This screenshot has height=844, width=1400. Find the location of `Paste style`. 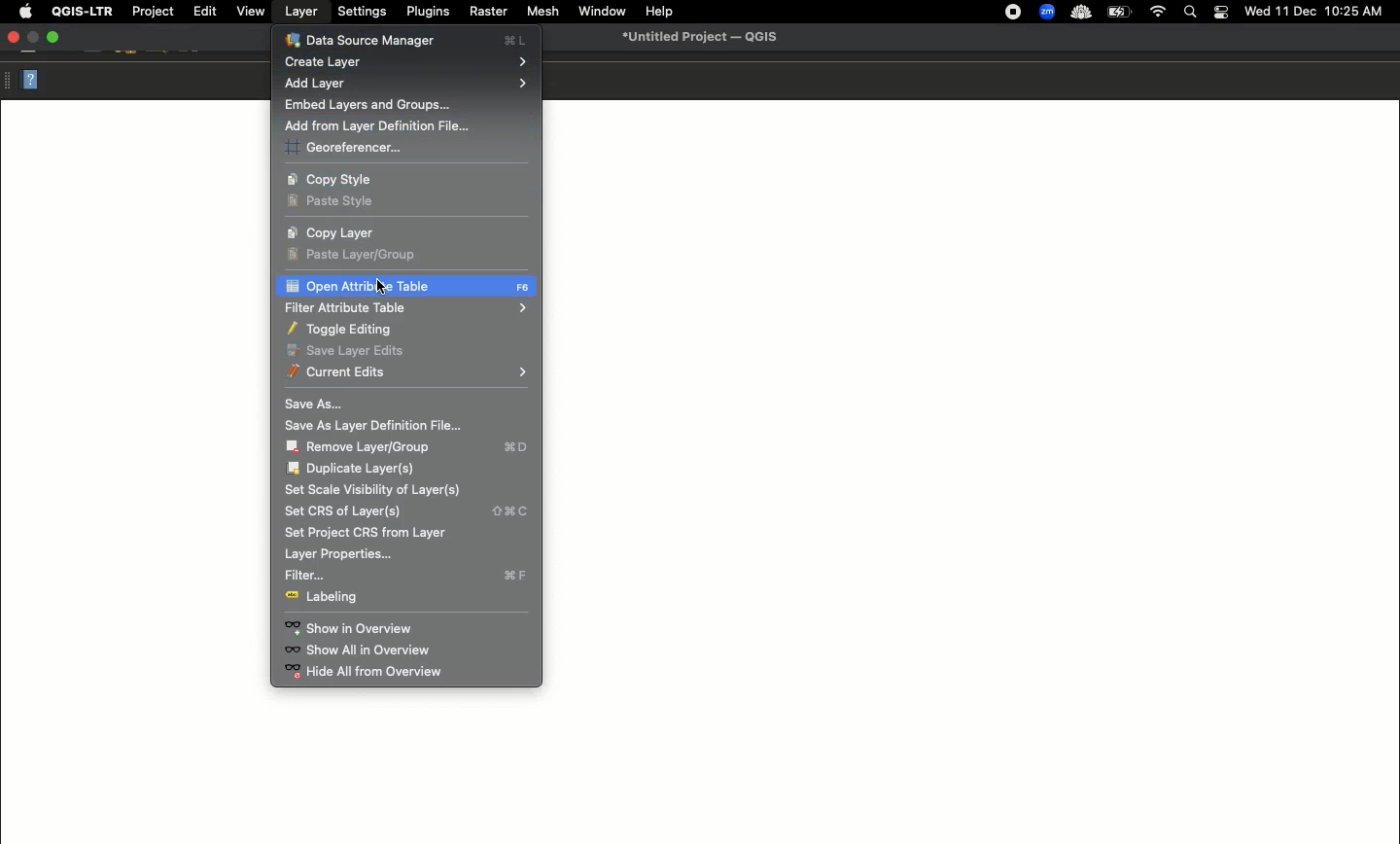

Paste style is located at coordinates (334, 203).